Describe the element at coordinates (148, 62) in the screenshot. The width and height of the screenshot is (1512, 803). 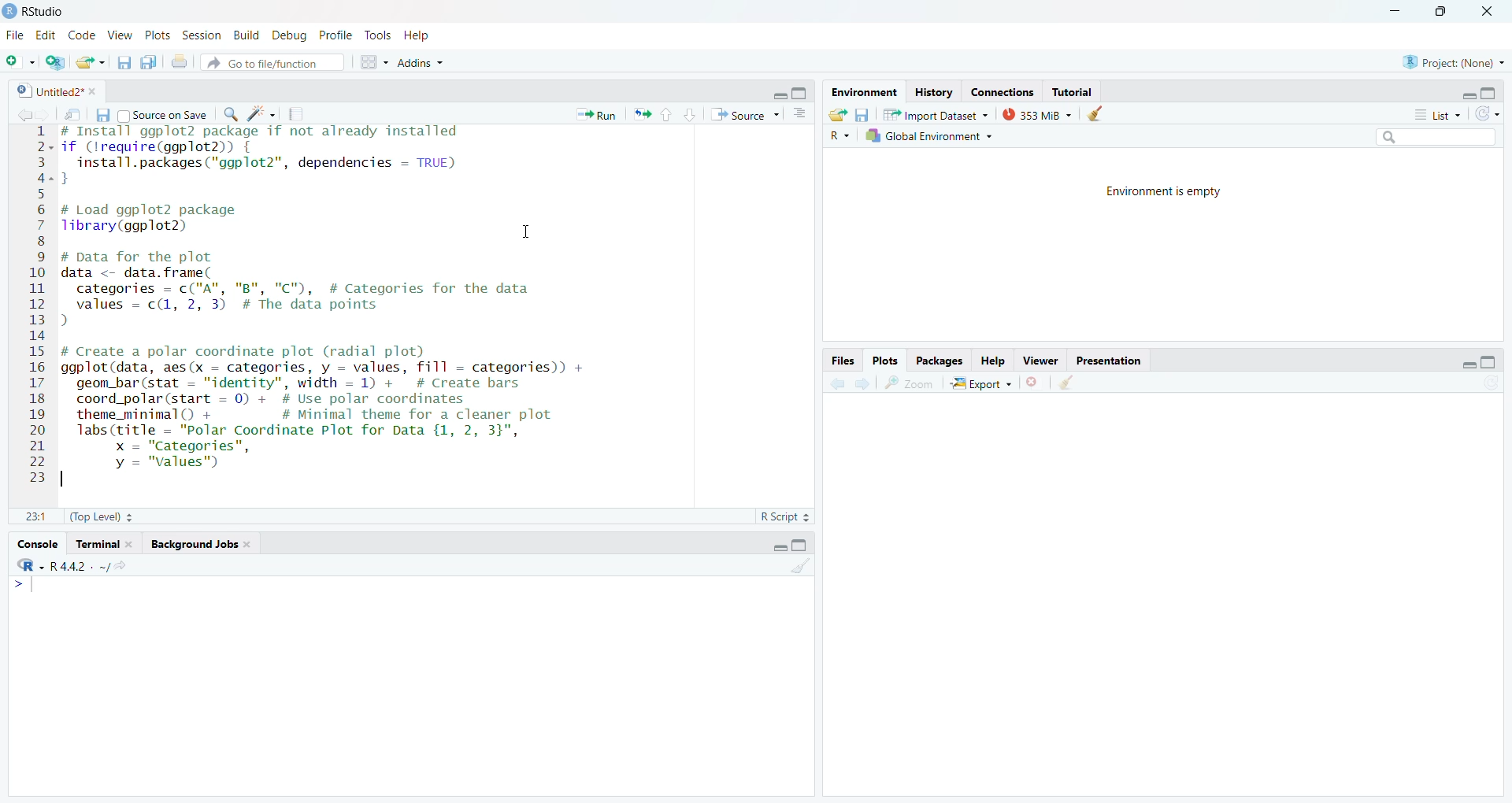
I see `save all open documents` at that location.